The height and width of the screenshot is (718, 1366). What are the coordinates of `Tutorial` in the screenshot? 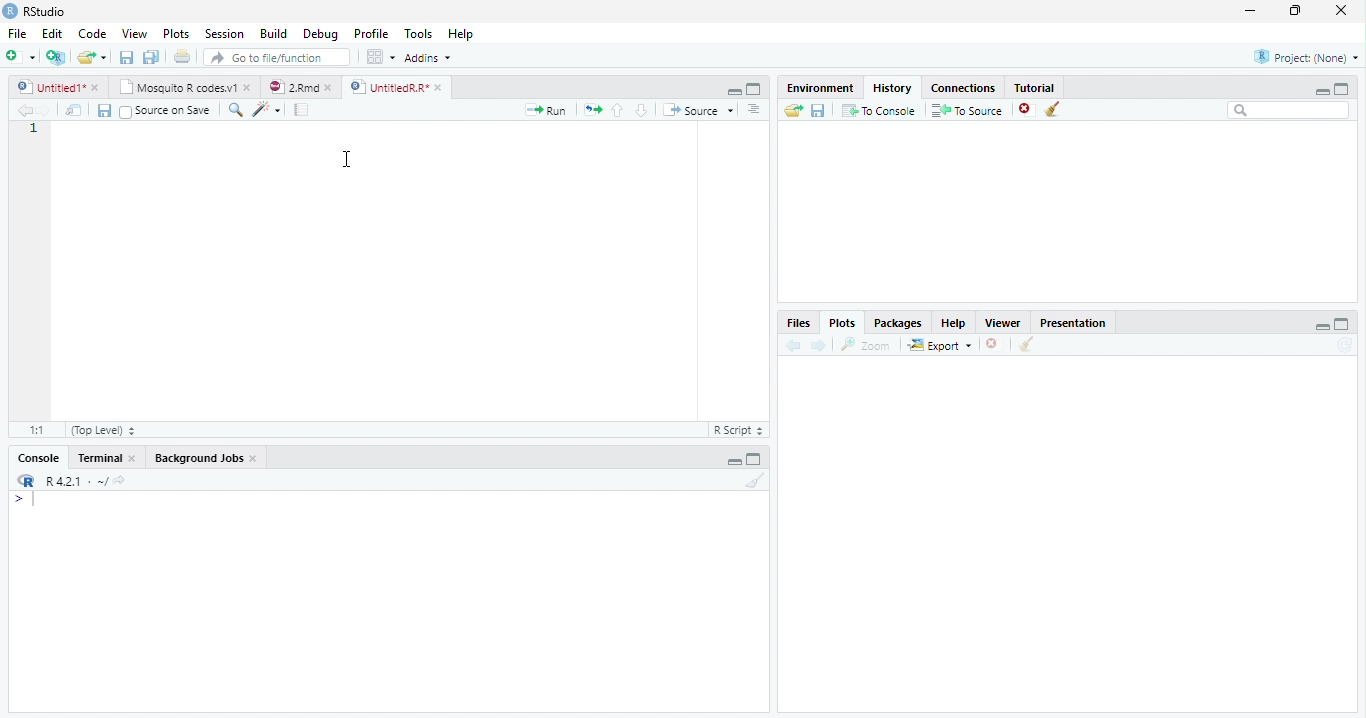 It's located at (1034, 88).